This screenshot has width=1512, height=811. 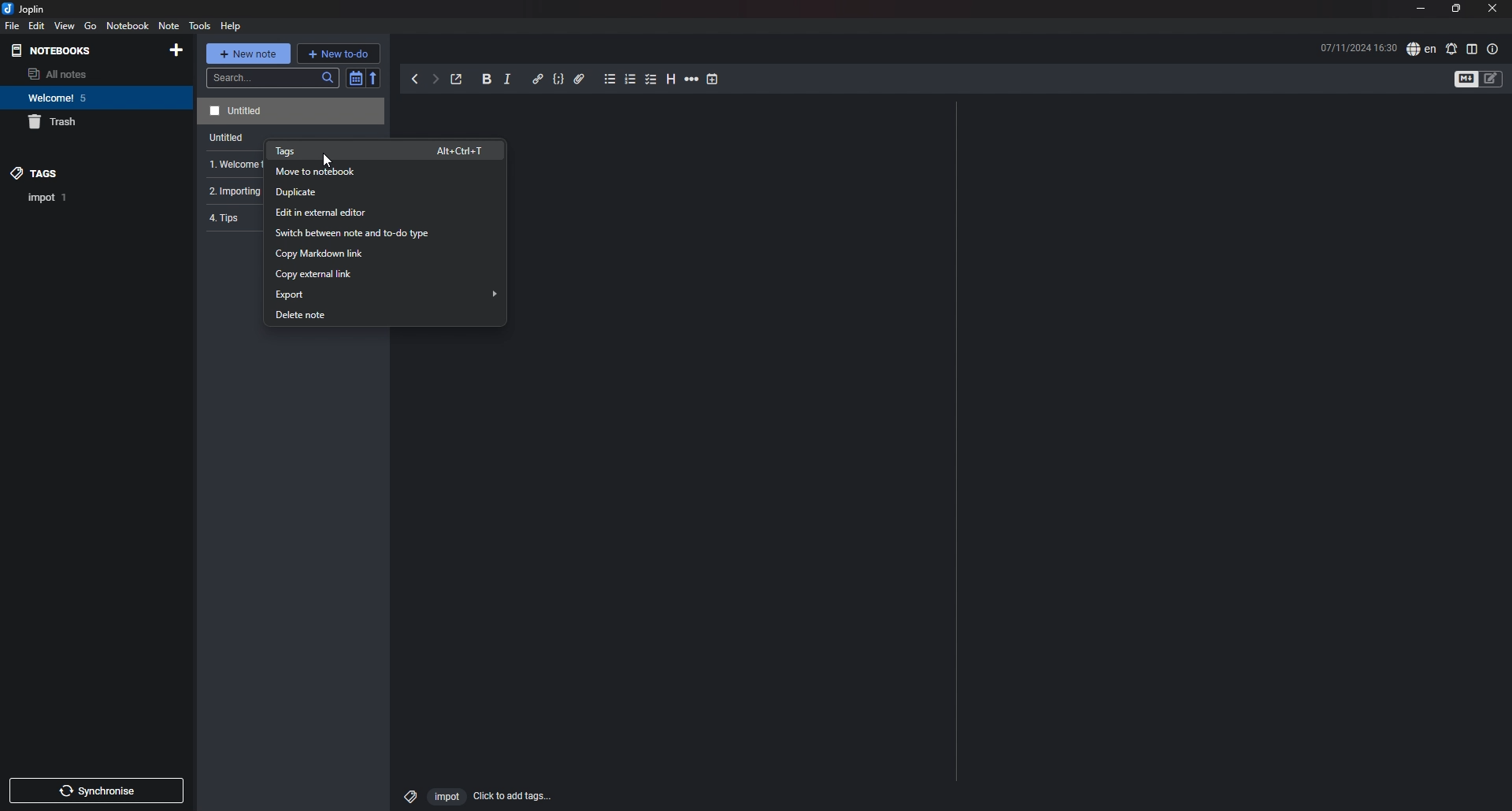 I want to click on bold, so click(x=487, y=80).